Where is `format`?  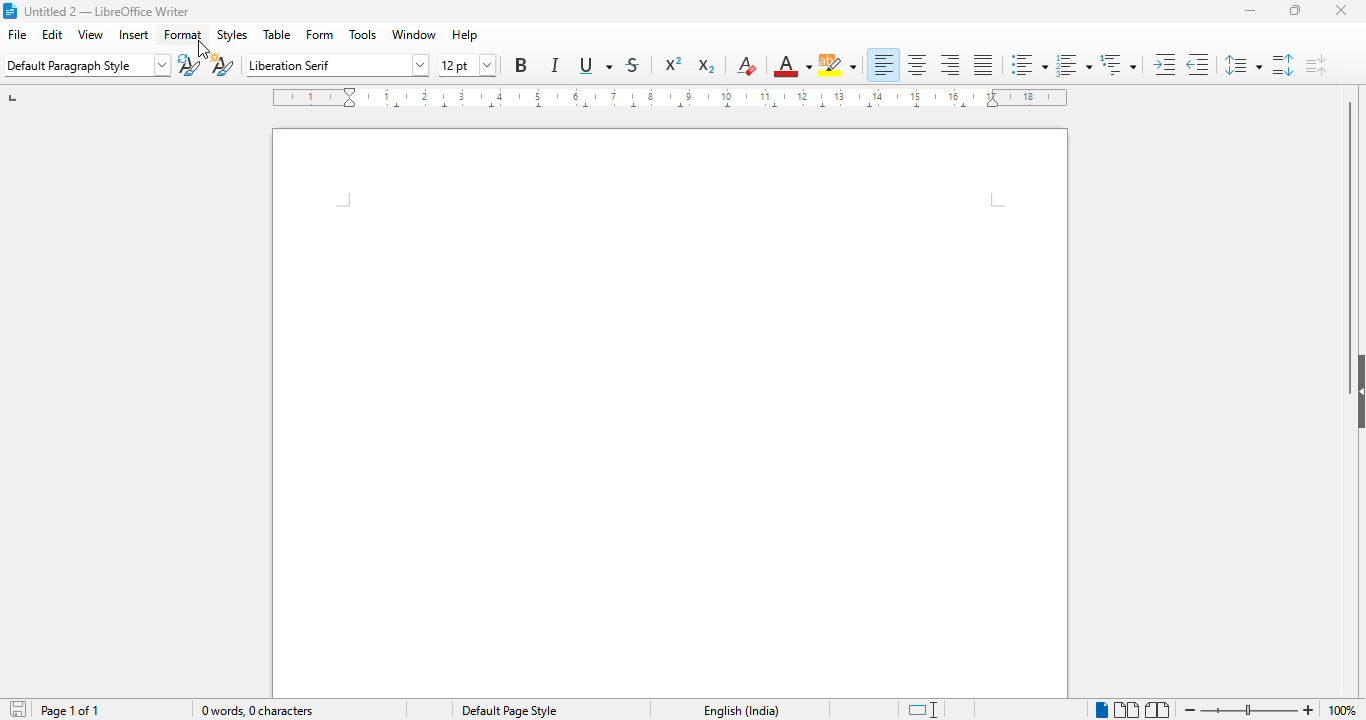
format is located at coordinates (184, 34).